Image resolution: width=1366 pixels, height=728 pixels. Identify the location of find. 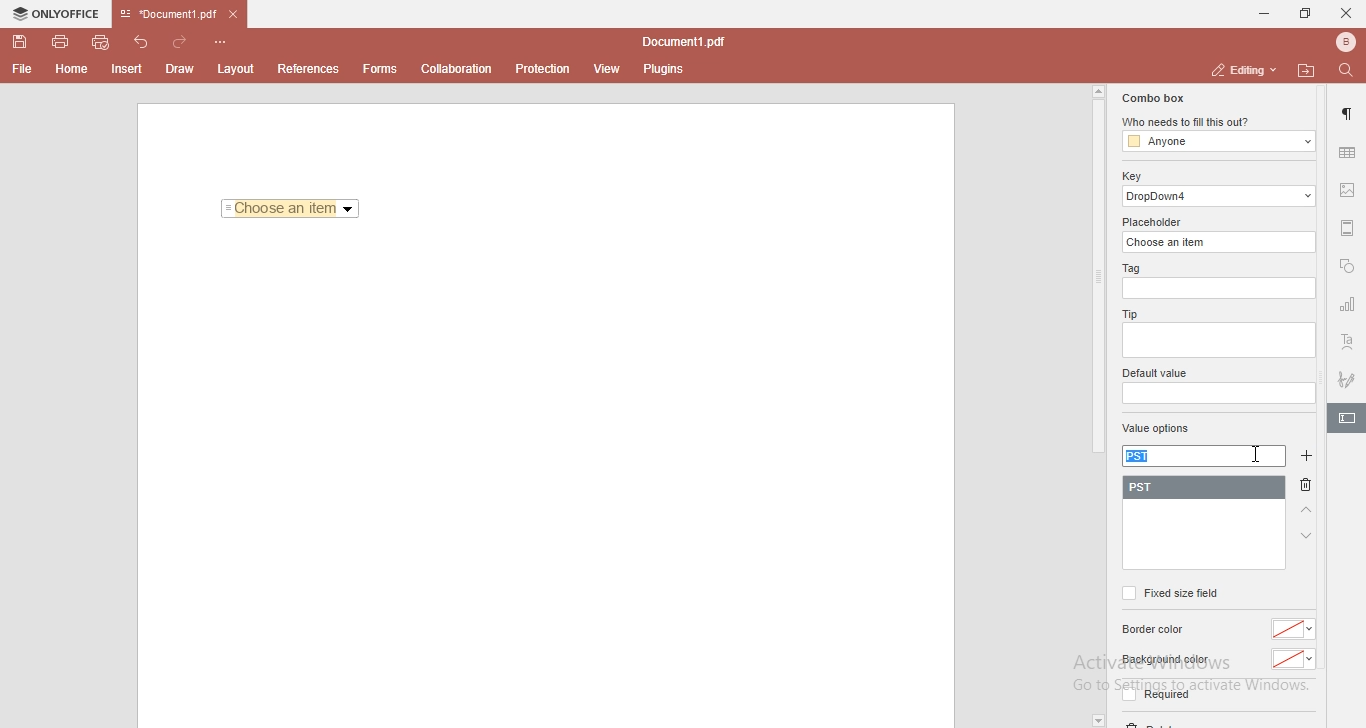
(1350, 69).